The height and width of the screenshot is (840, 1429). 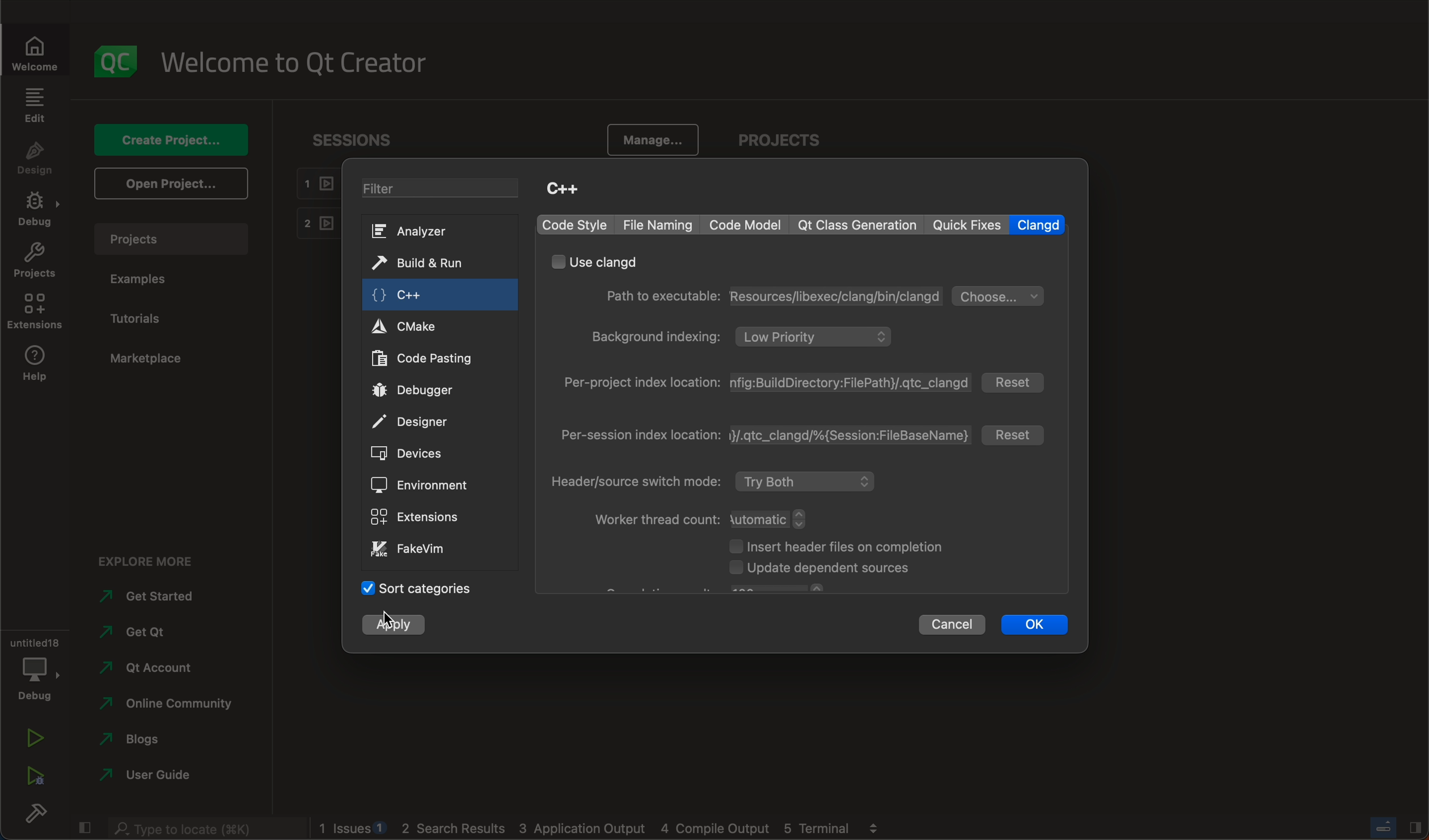 I want to click on per session location, so click(x=763, y=434).